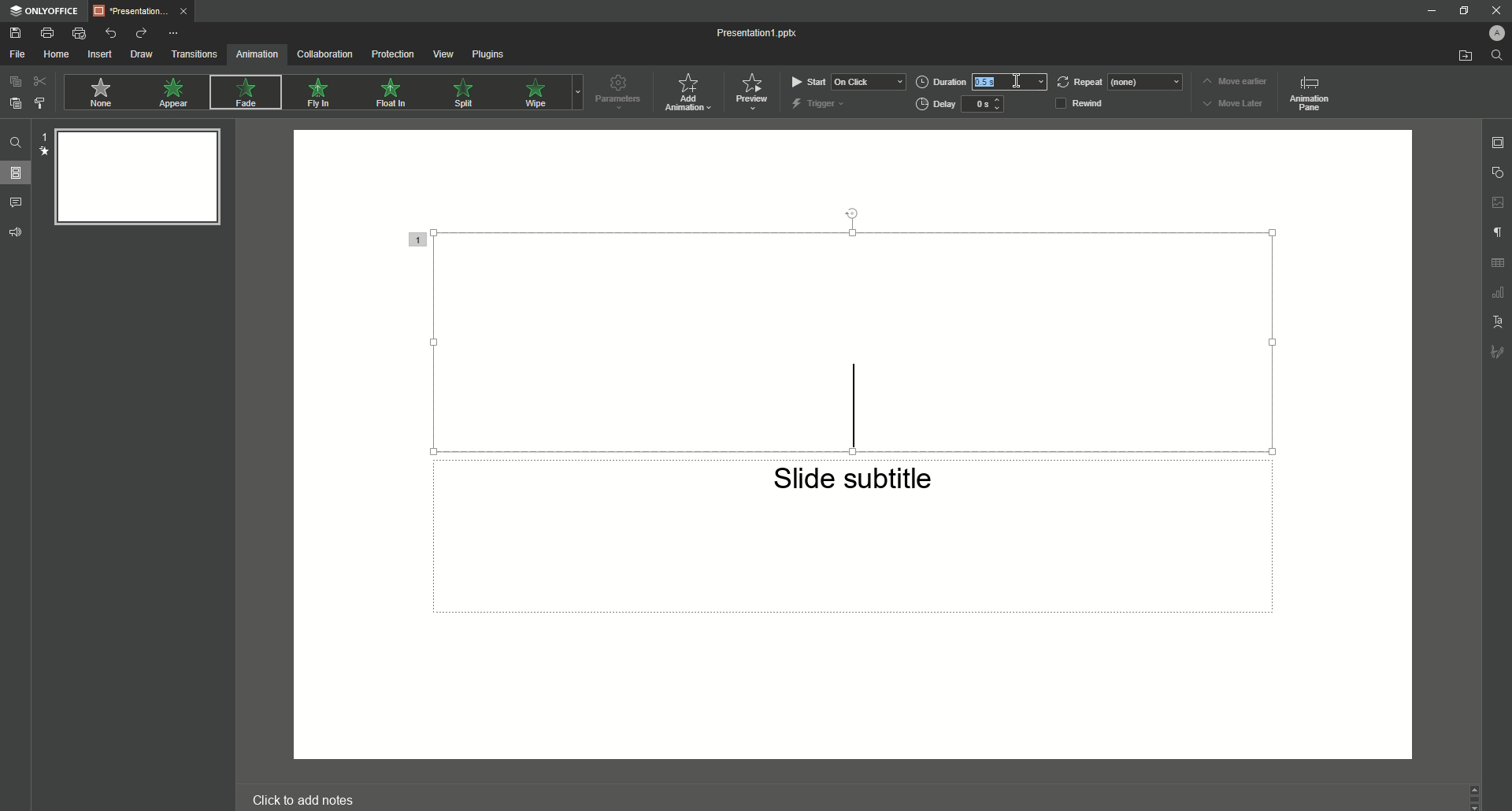  Describe the element at coordinates (1234, 81) in the screenshot. I see `Move earlier` at that location.